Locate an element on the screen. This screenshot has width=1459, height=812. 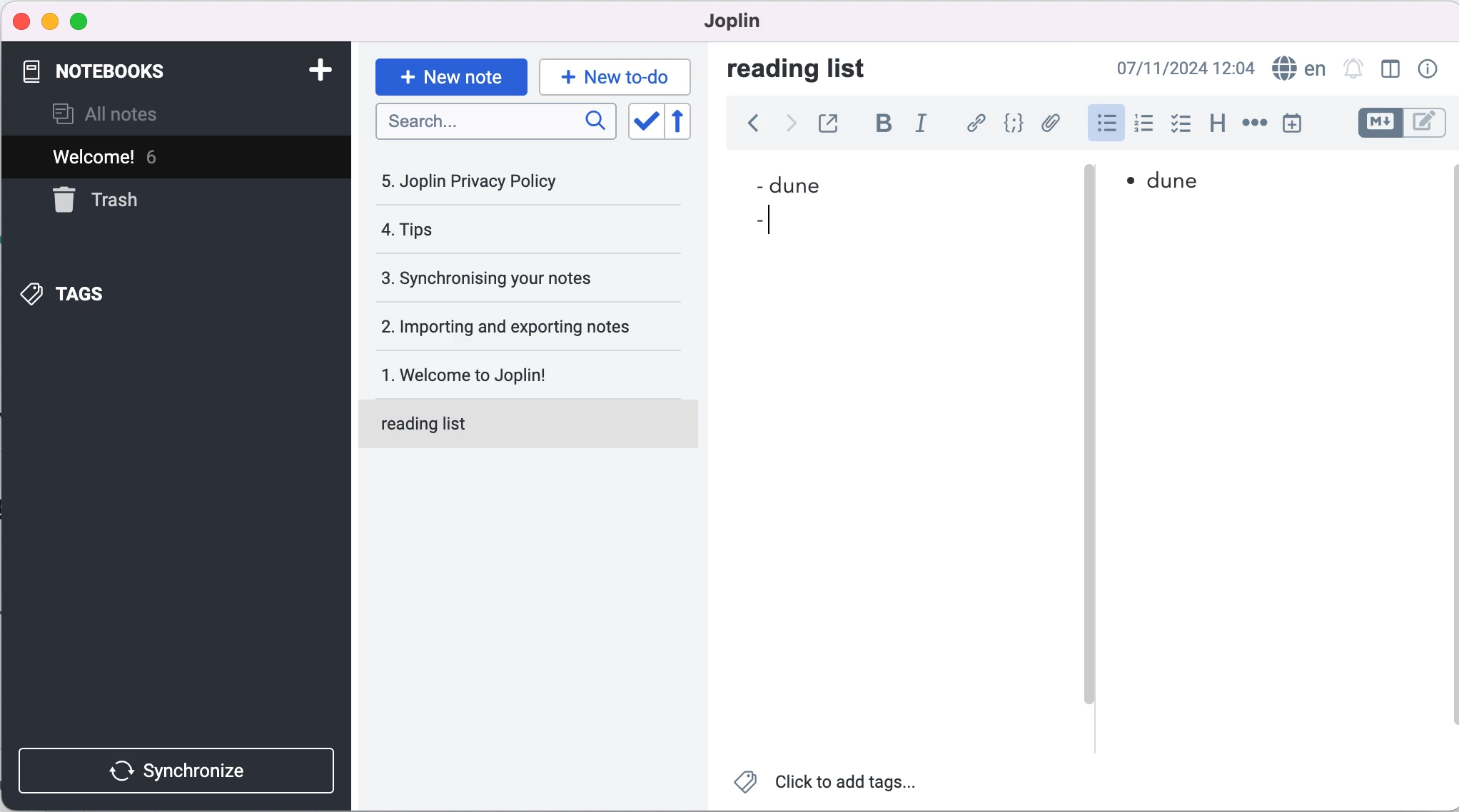
dune is located at coordinates (837, 183).